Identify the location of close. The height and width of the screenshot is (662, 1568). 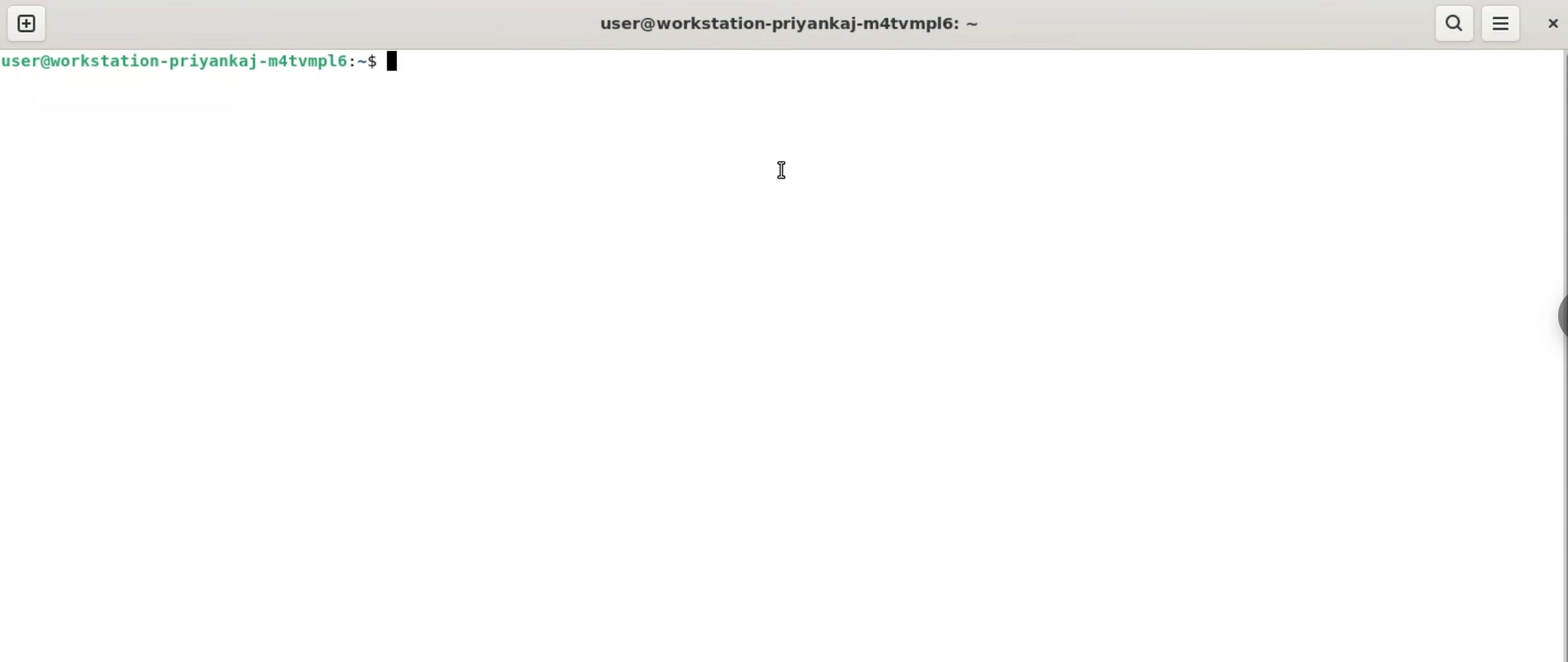
(1554, 24).